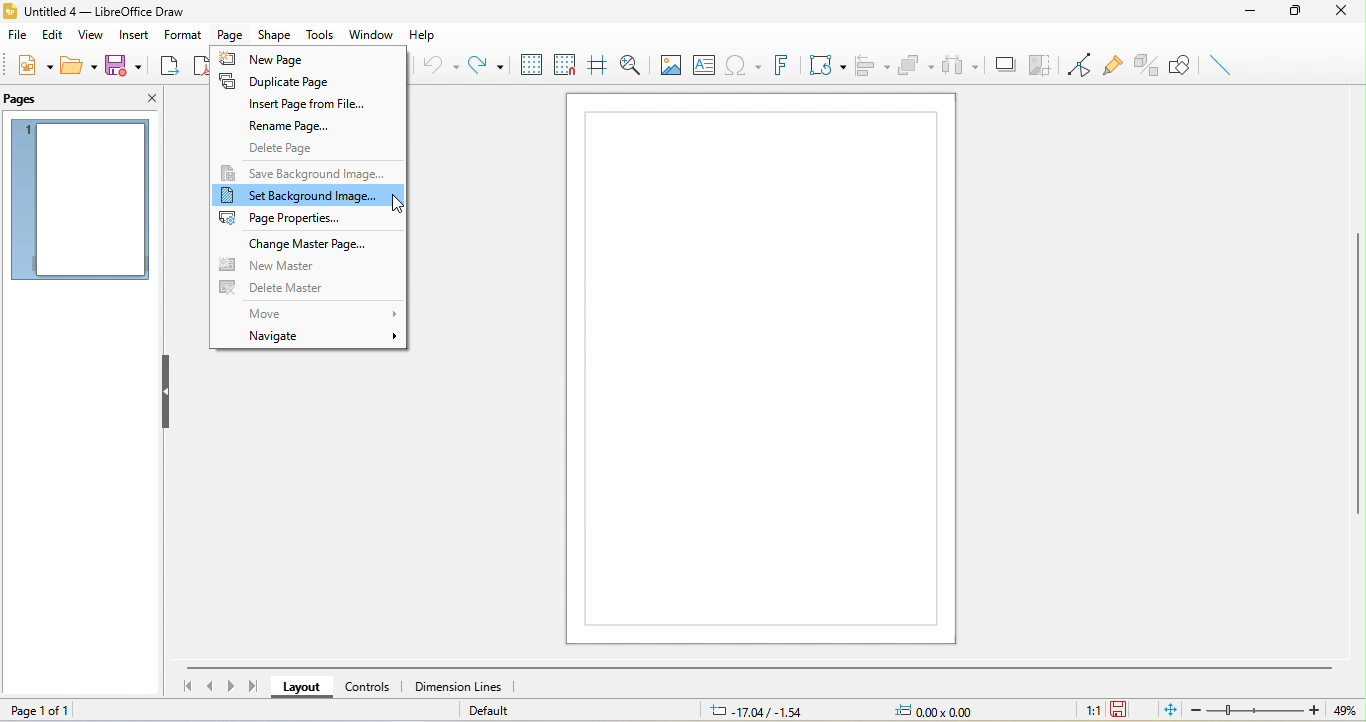  Describe the element at coordinates (318, 313) in the screenshot. I see `more` at that location.